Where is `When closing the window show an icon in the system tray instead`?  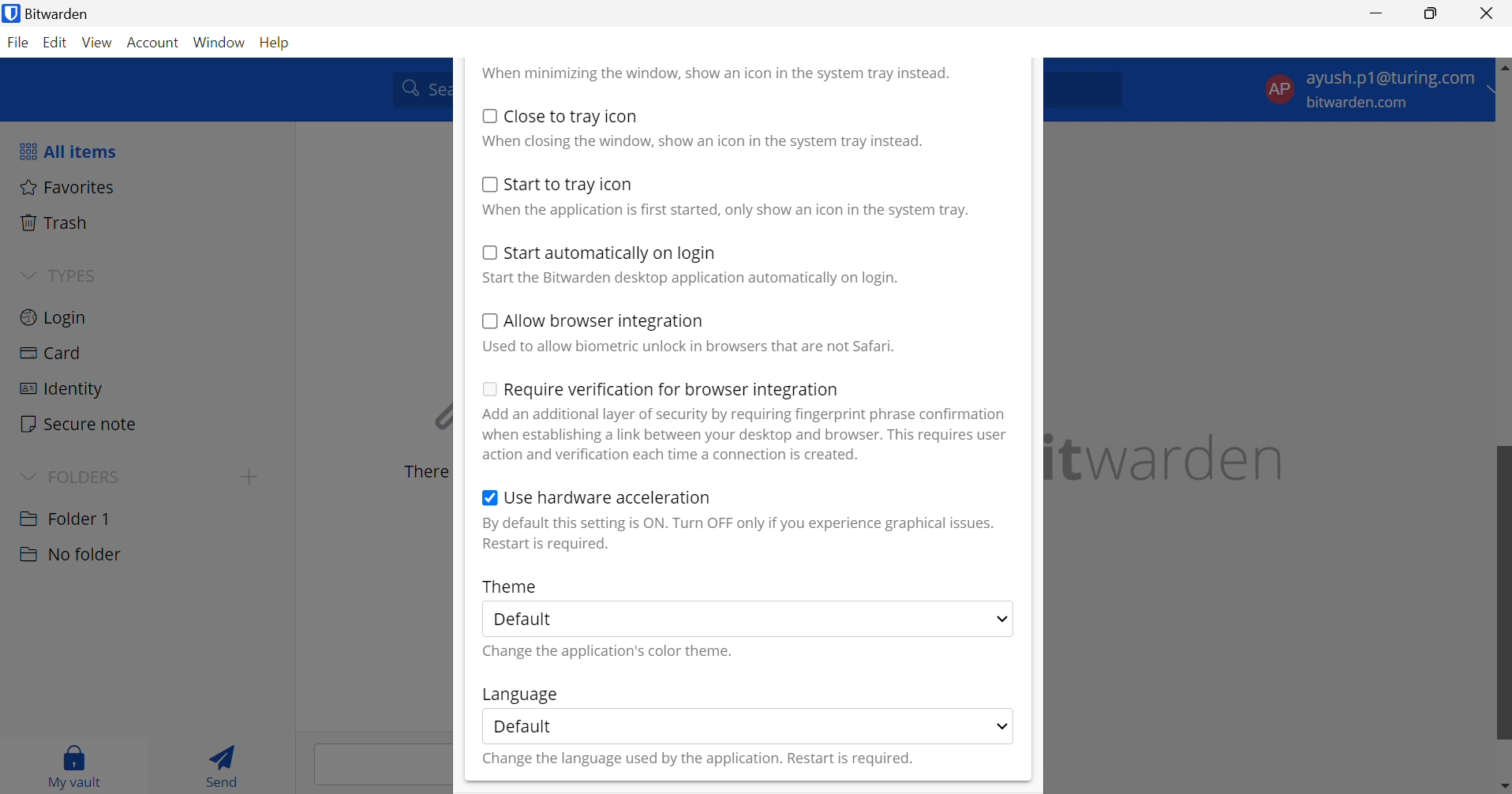 When closing the window show an icon in the system tray instead is located at coordinates (702, 140).